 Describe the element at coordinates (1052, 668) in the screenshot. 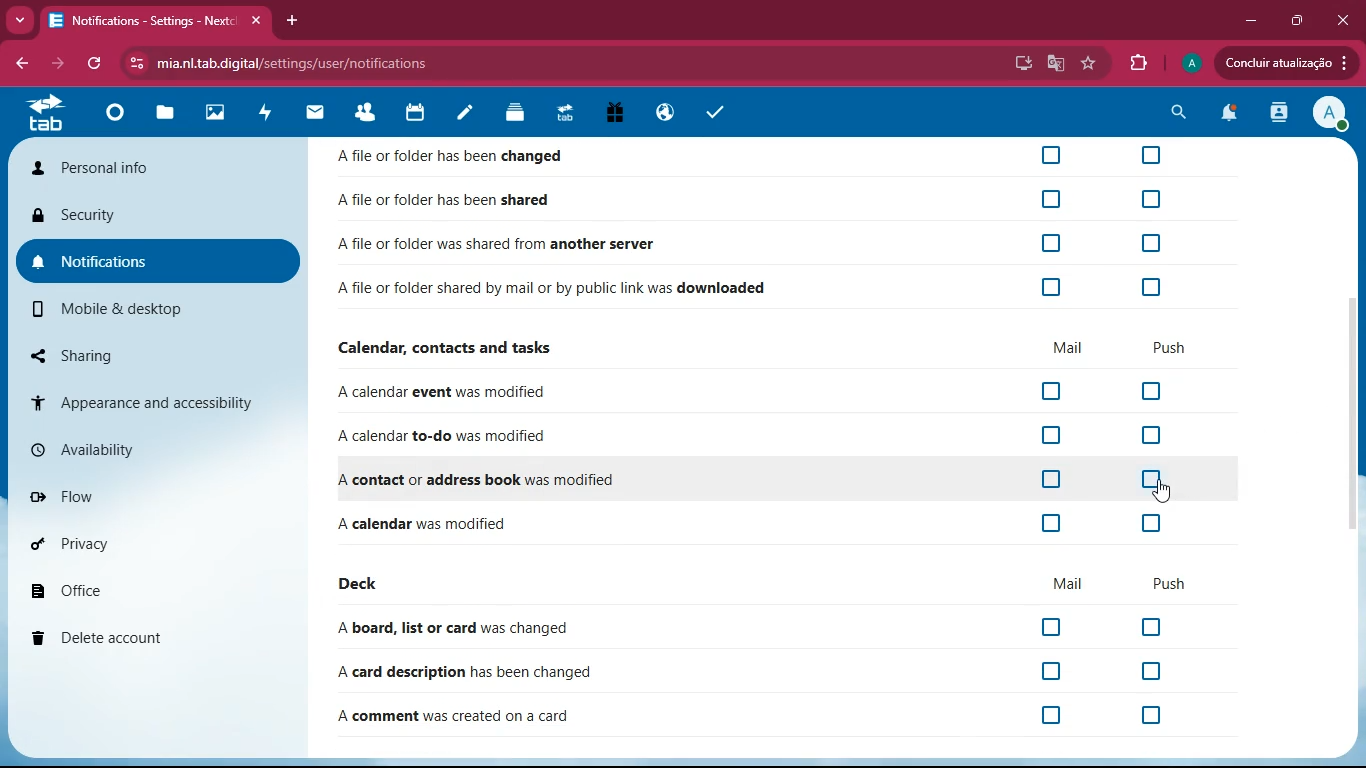

I see `off` at that location.